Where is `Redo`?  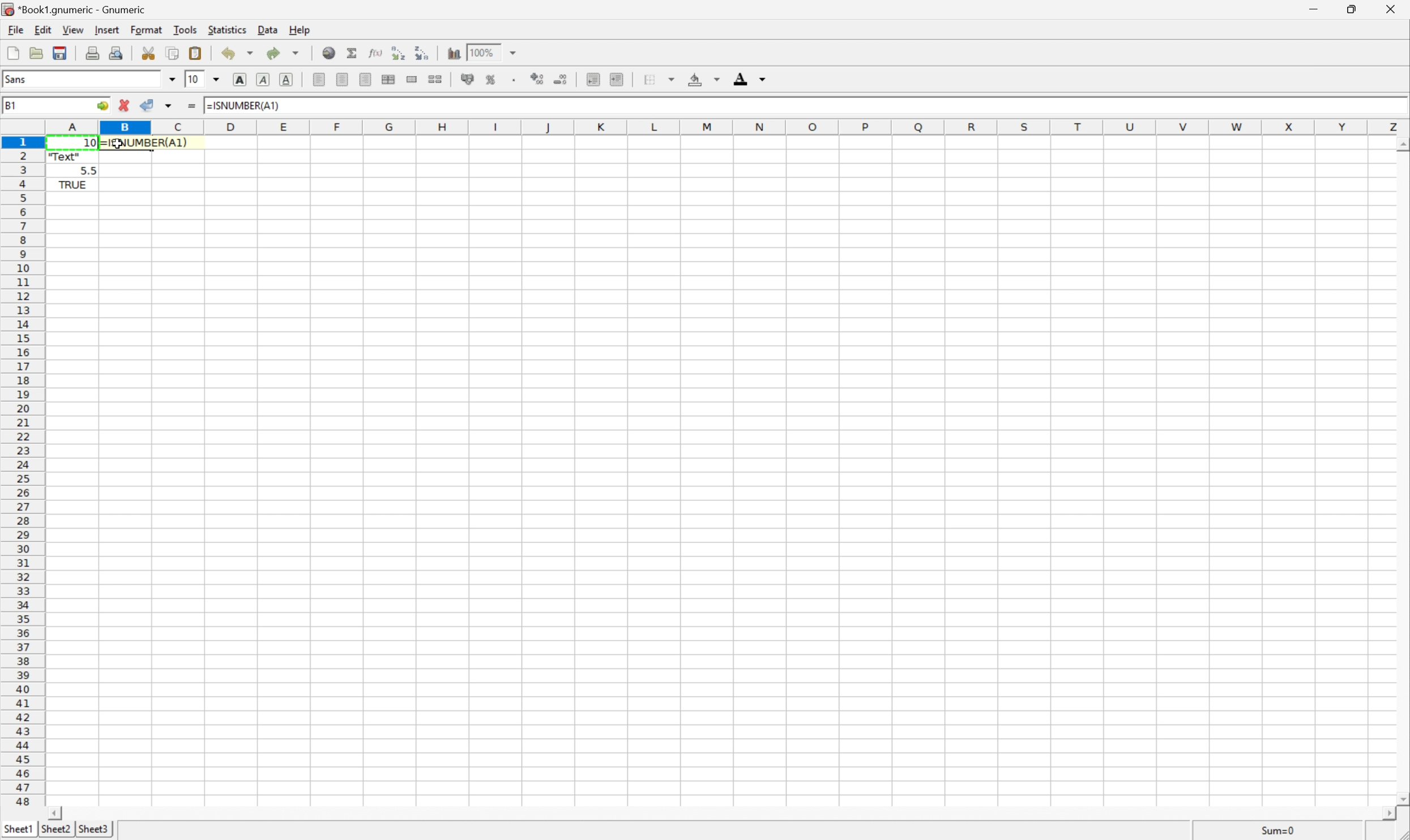
Redo is located at coordinates (284, 52).